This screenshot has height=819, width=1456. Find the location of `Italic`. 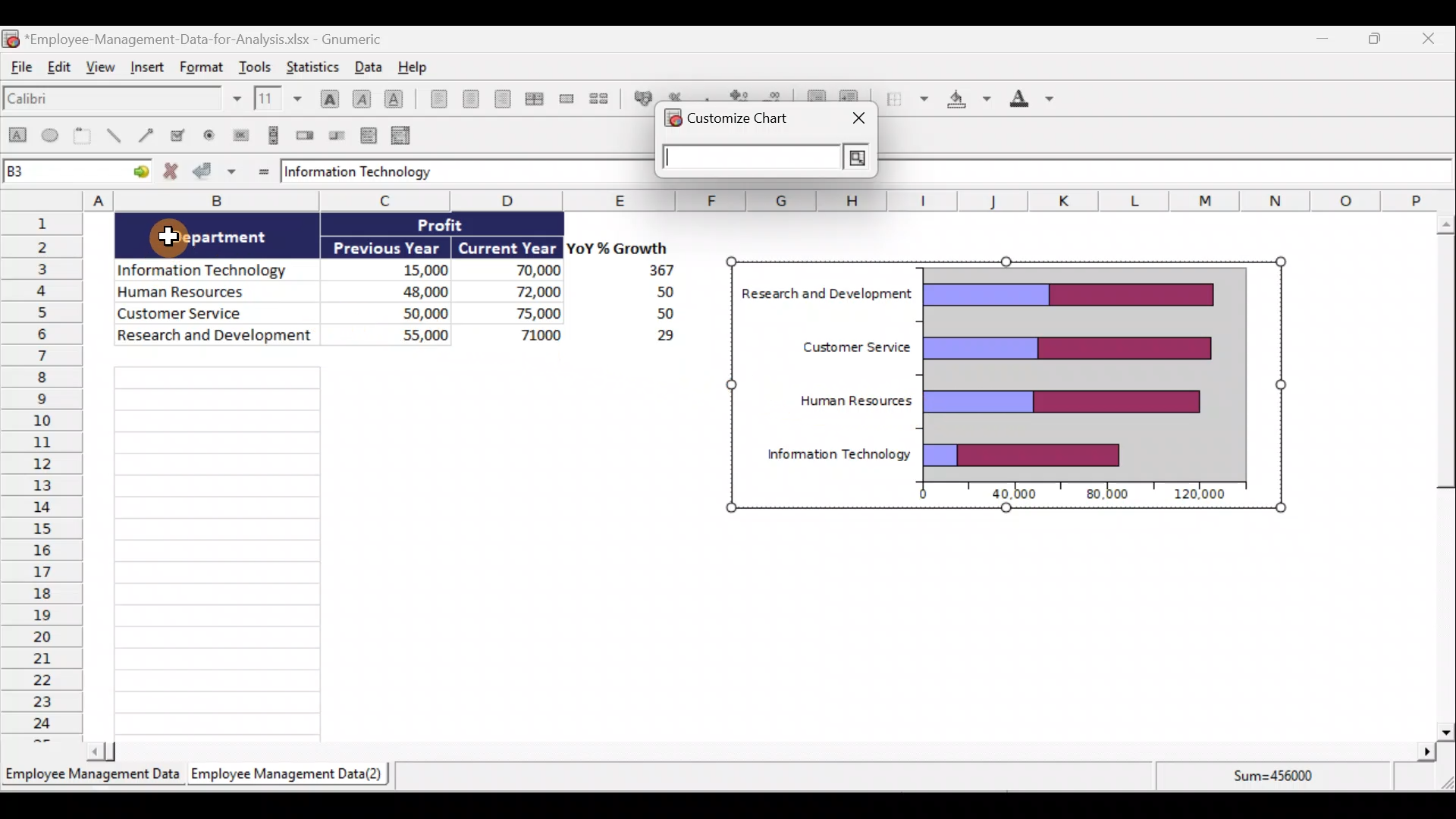

Italic is located at coordinates (362, 97).